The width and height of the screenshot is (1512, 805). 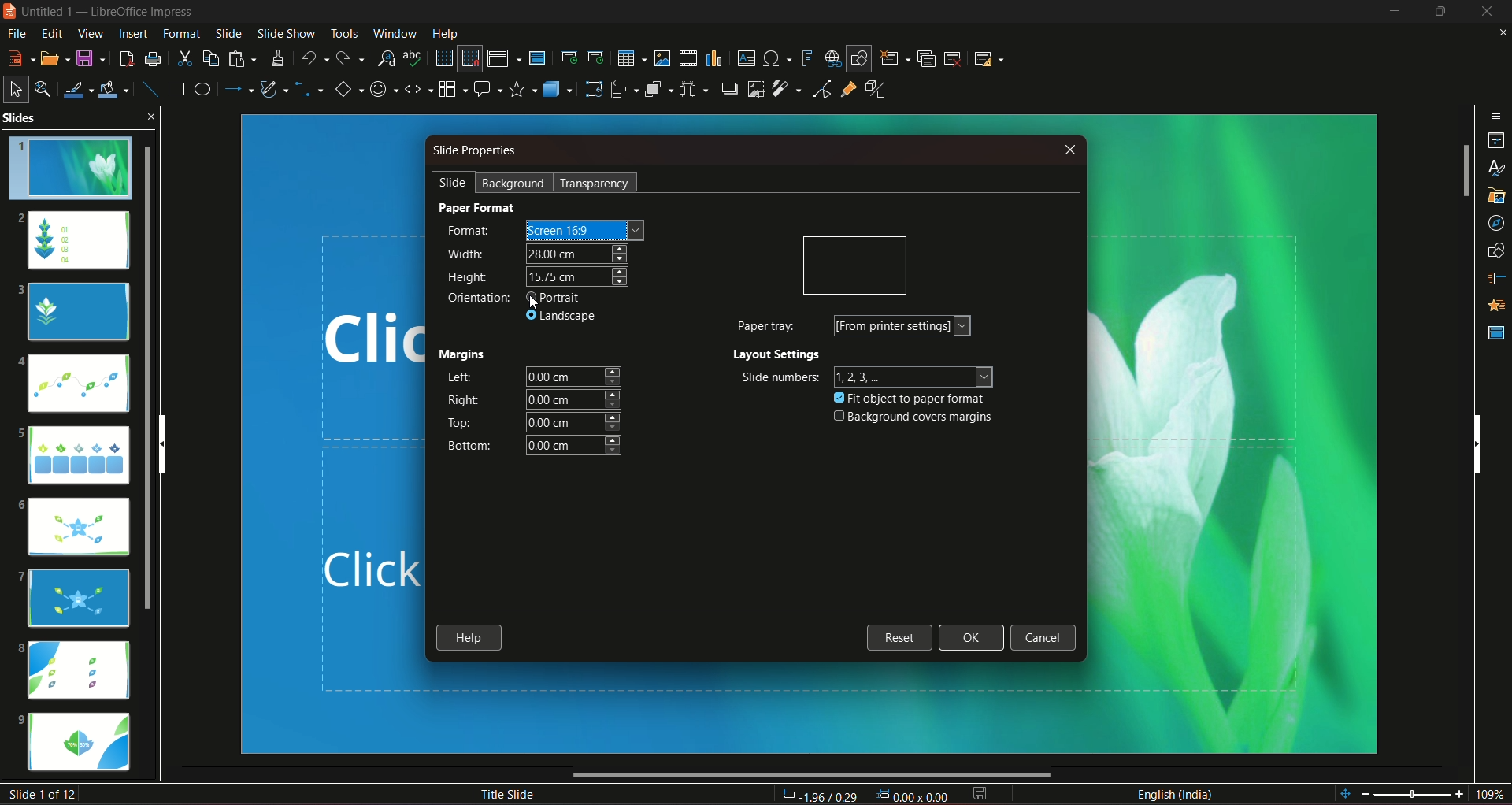 I want to click on layout settings, so click(x=778, y=355).